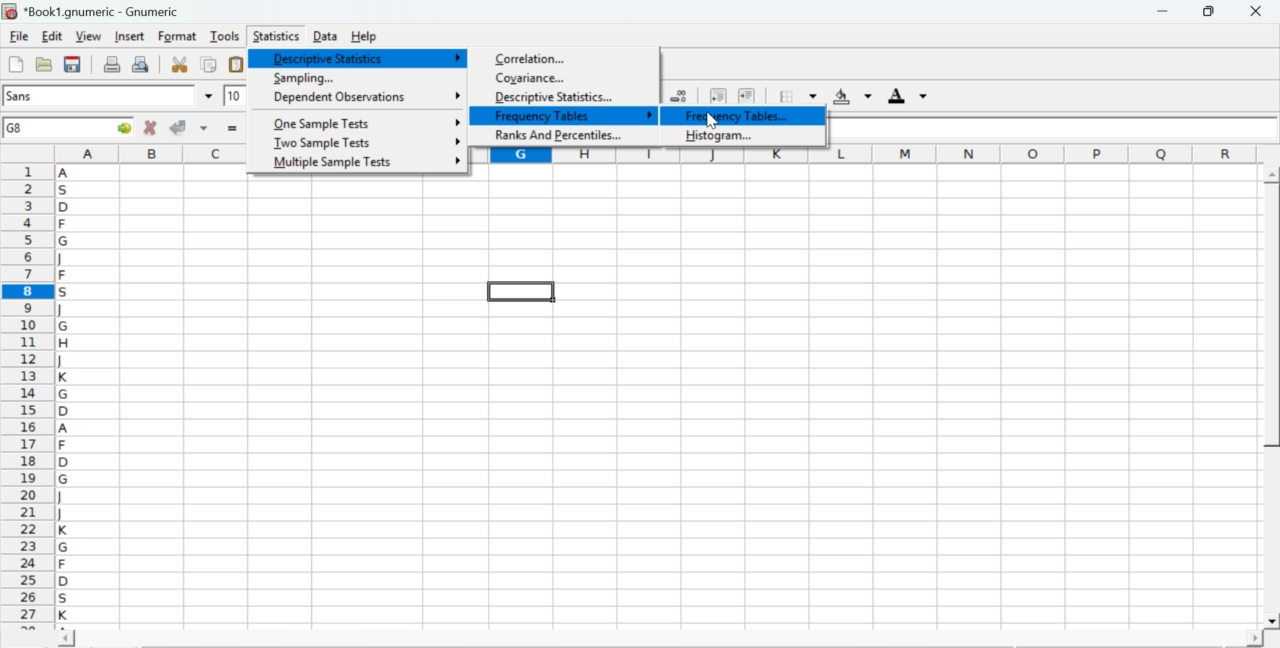 The height and width of the screenshot is (648, 1280). What do you see at coordinates (324, 124) in the screenshot?
I see `one sample tests` at bounding box center [324, 124].